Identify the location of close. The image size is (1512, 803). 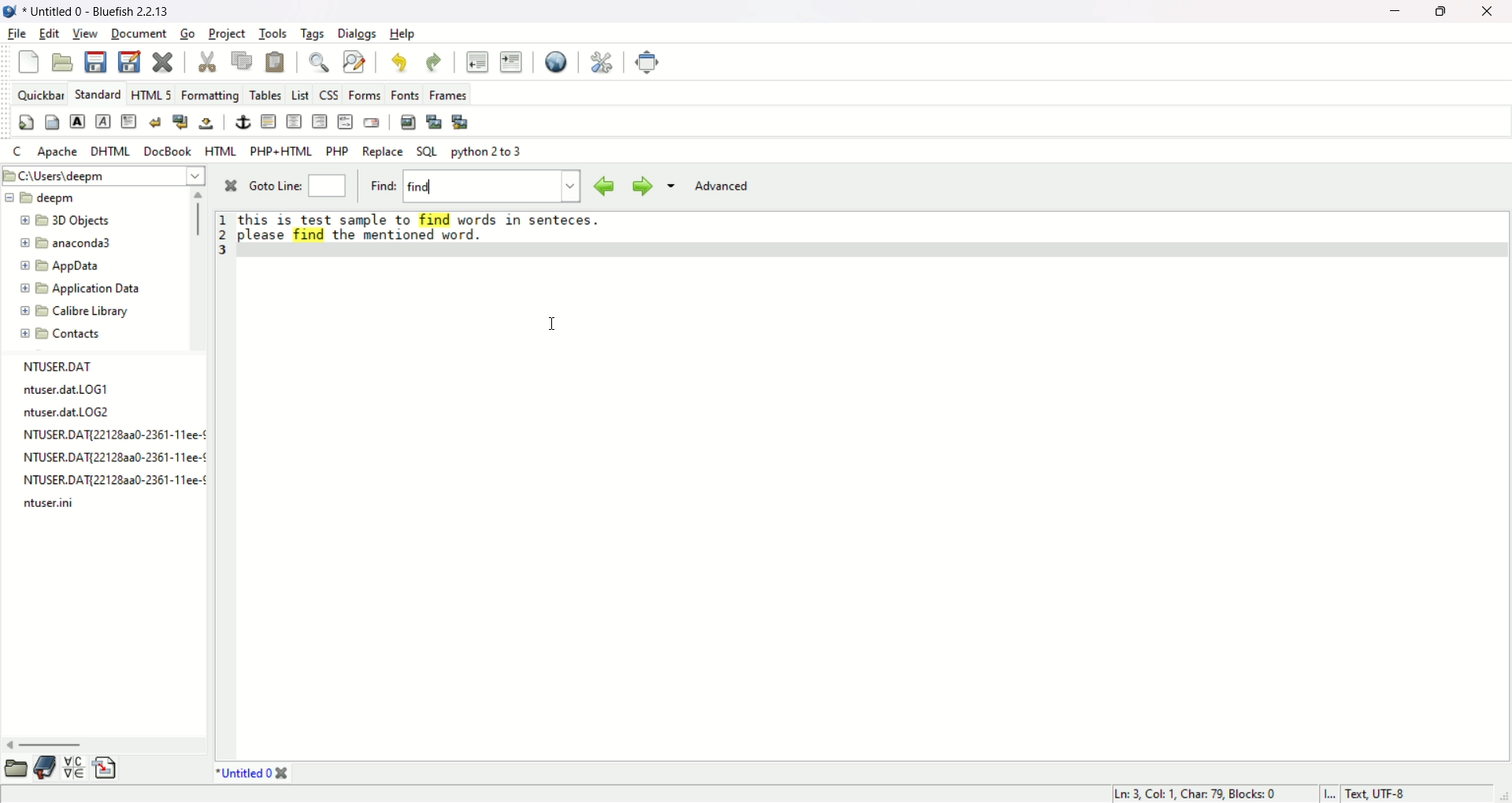
(225, 188).